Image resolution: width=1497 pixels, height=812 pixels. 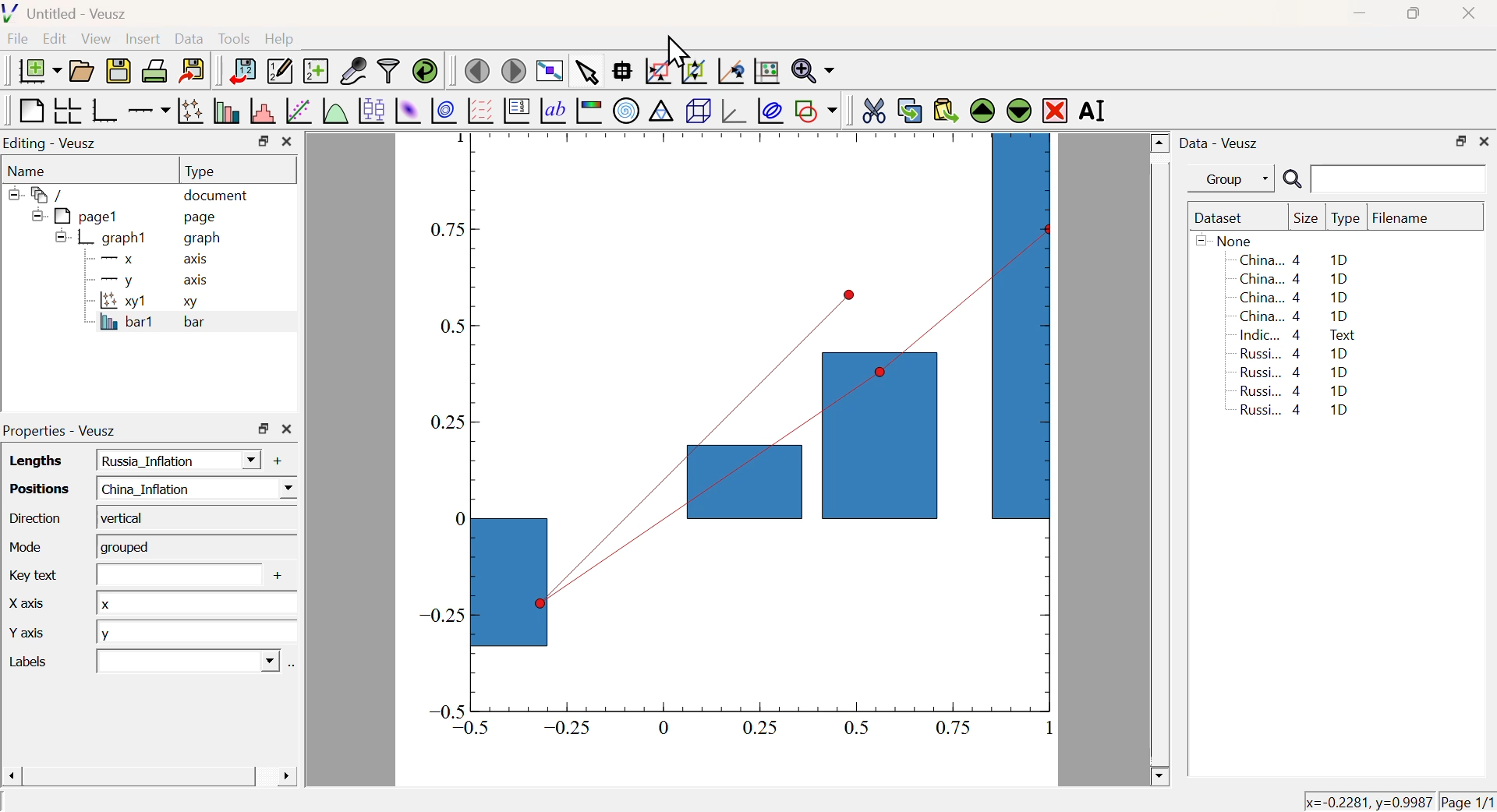 What do you see at coordinates (192, 111) in the screenshot?
I see `Plot points with lines and errorbars` at bounding box center [192, 111].